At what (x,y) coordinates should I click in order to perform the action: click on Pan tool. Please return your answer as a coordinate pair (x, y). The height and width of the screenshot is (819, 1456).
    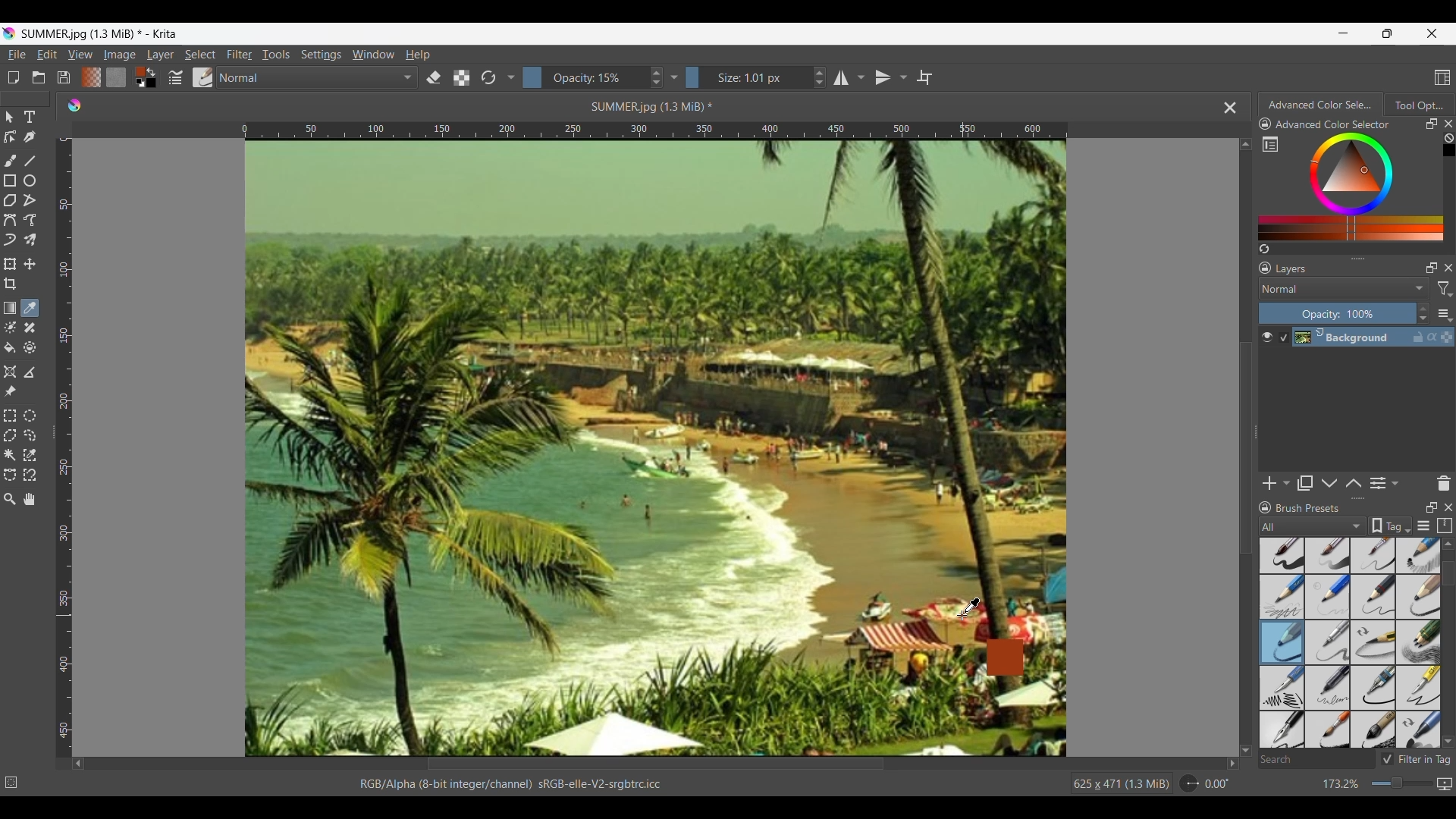
    Looking at the image, I should click on (29, 499).